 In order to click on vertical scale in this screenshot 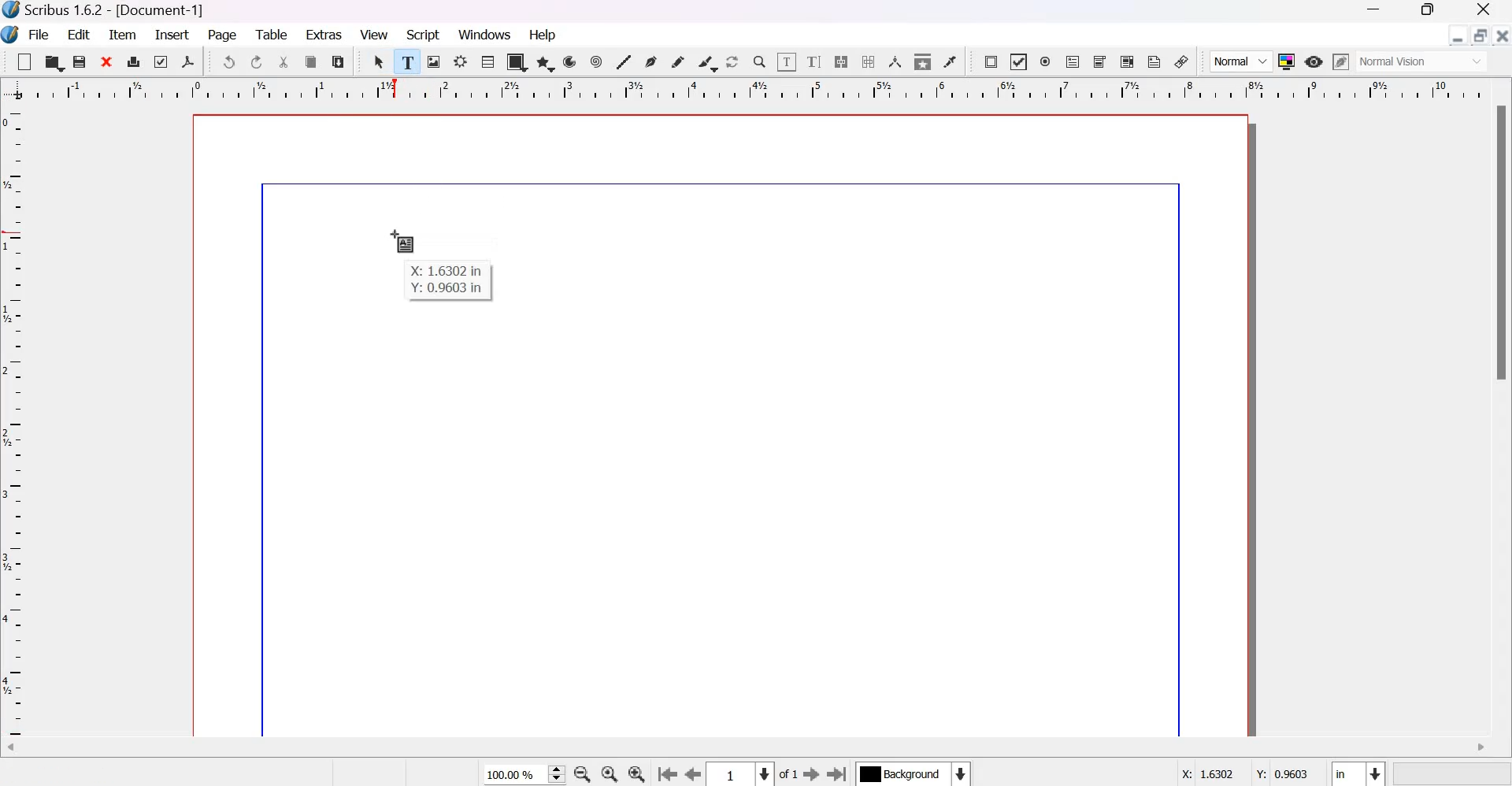, I will do `click(17, 424)`.